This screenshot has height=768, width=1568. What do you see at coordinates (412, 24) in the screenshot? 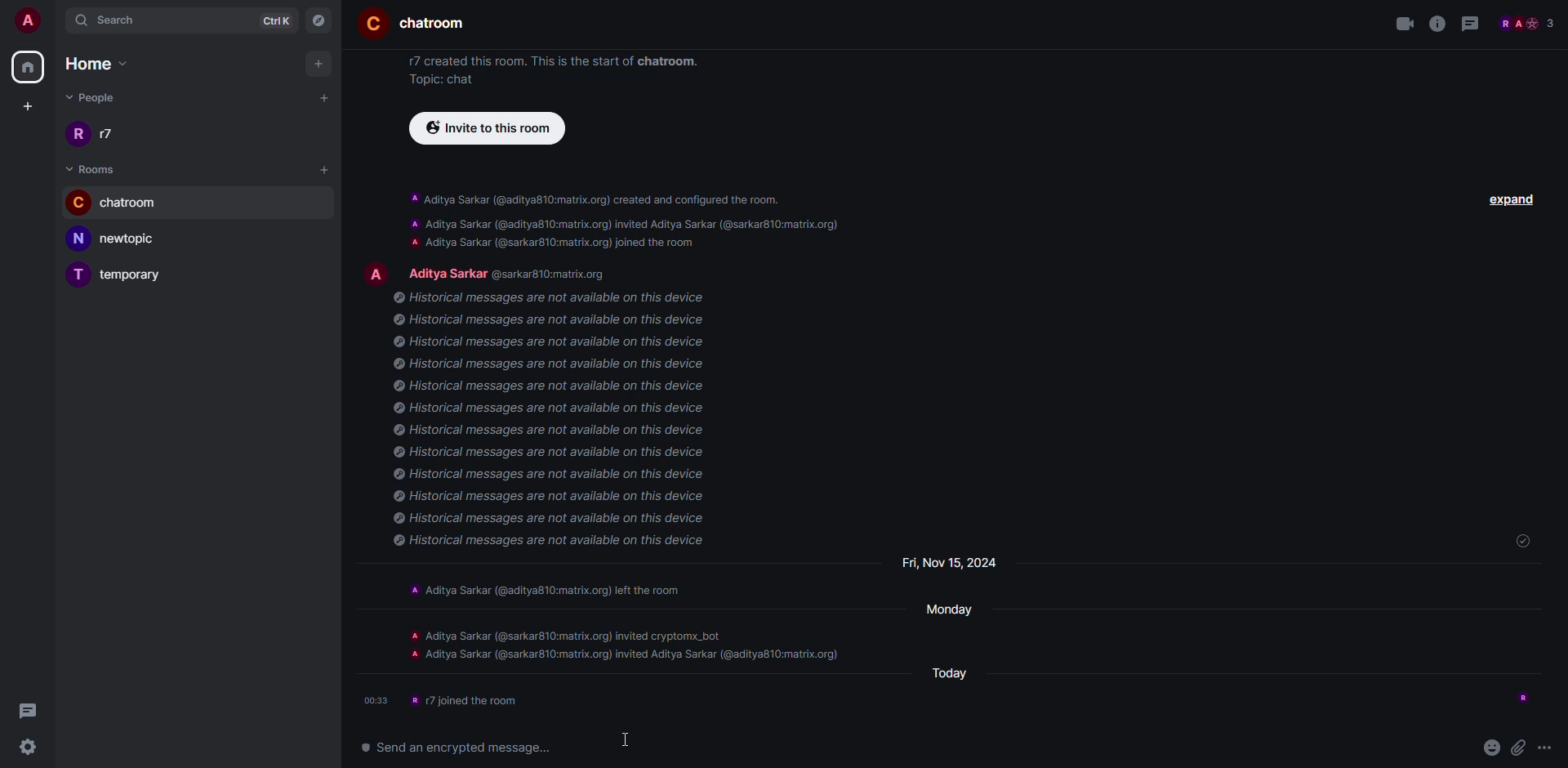
I see `room` at bounding box center [412, 24].